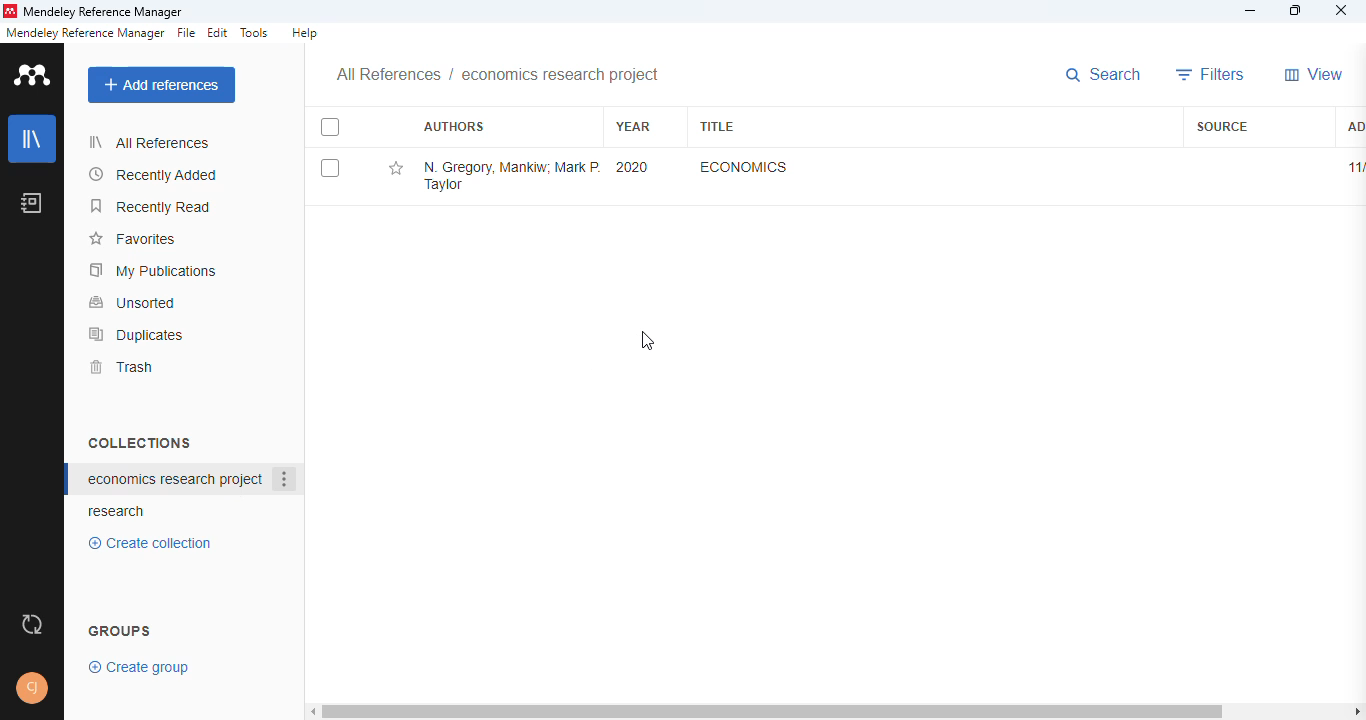 Image resolution: width=1366 pixels, height=720 pixels. Describe the element at coordinates (121, 629) in the screenshot. I see `groups` at that location.